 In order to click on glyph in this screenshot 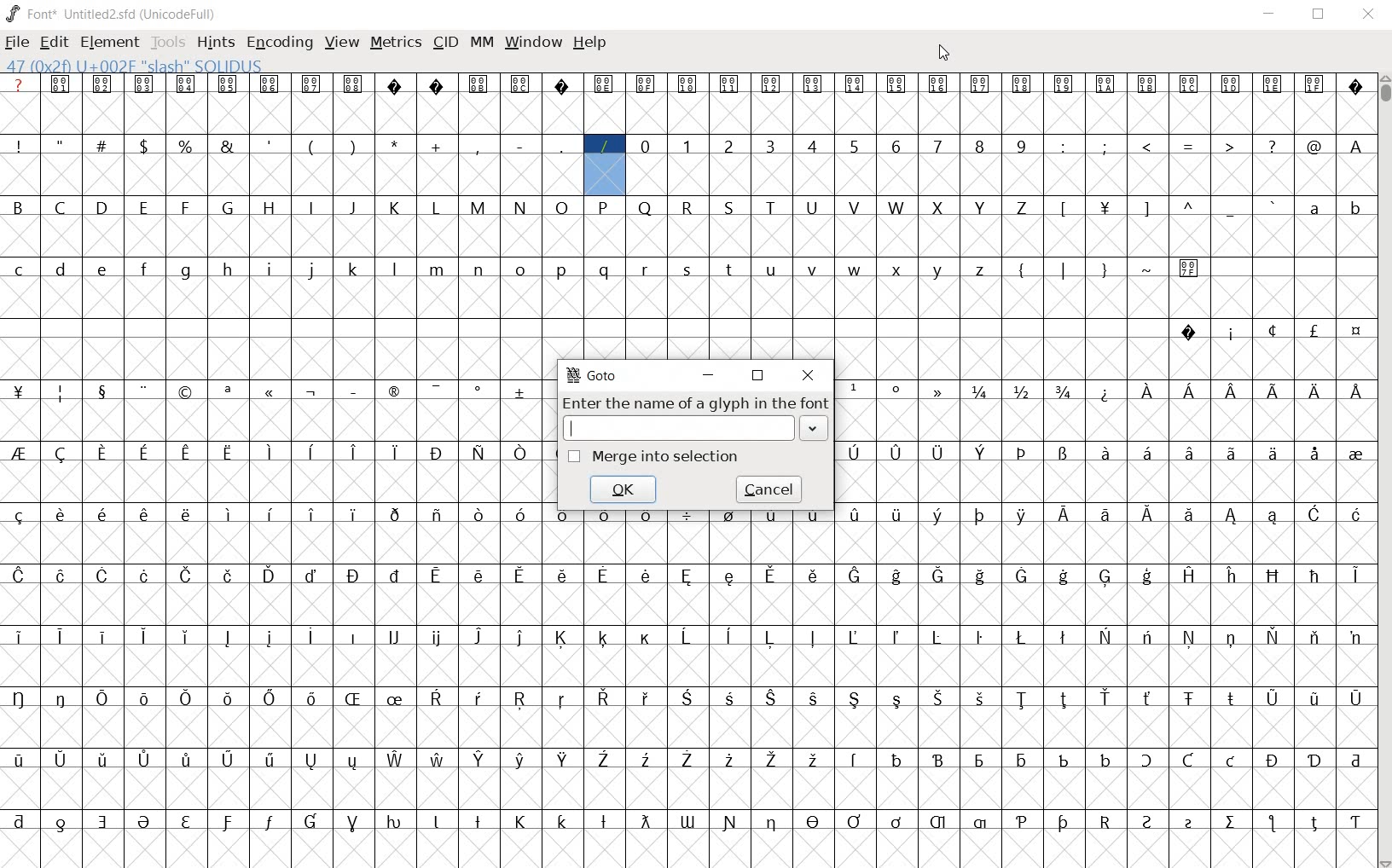, I will do `click(60, 636)`.